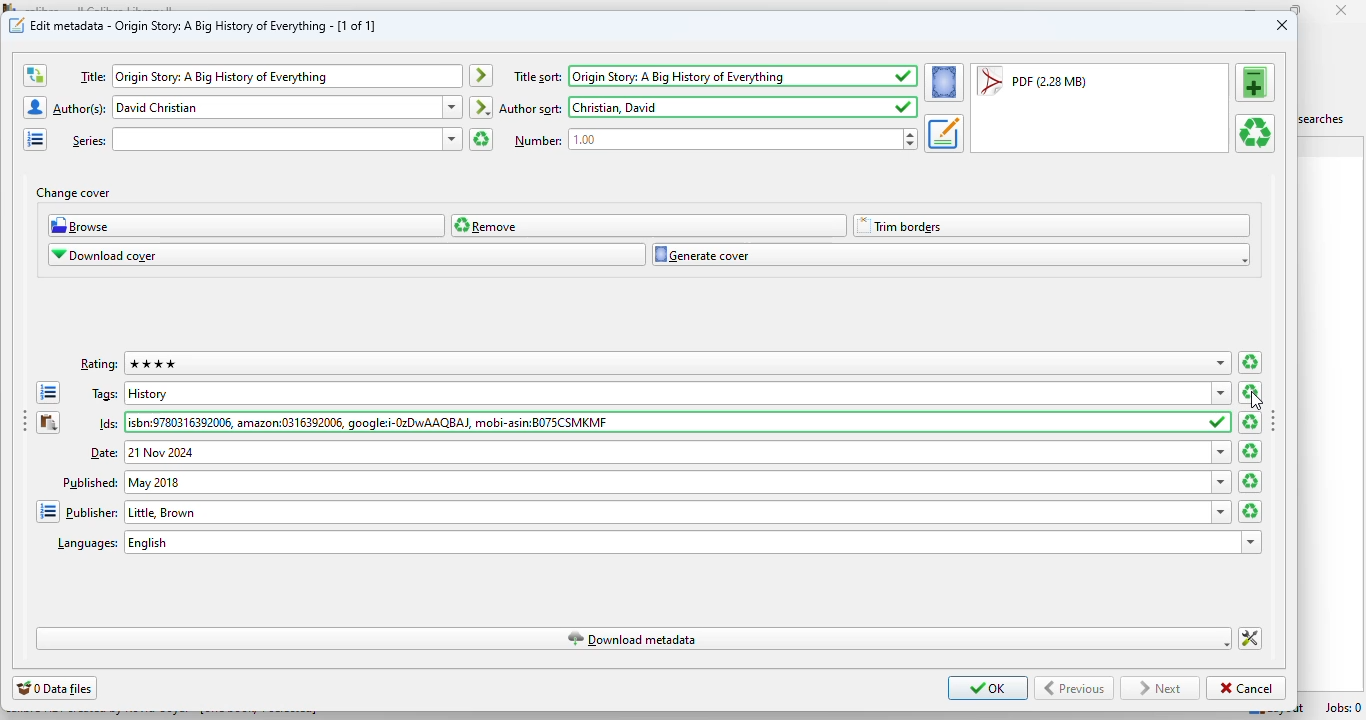 This screenshot has height=720, width=1366. Describe the element at coordinates (102, 451) in the screenshot. I see `text` at that location.